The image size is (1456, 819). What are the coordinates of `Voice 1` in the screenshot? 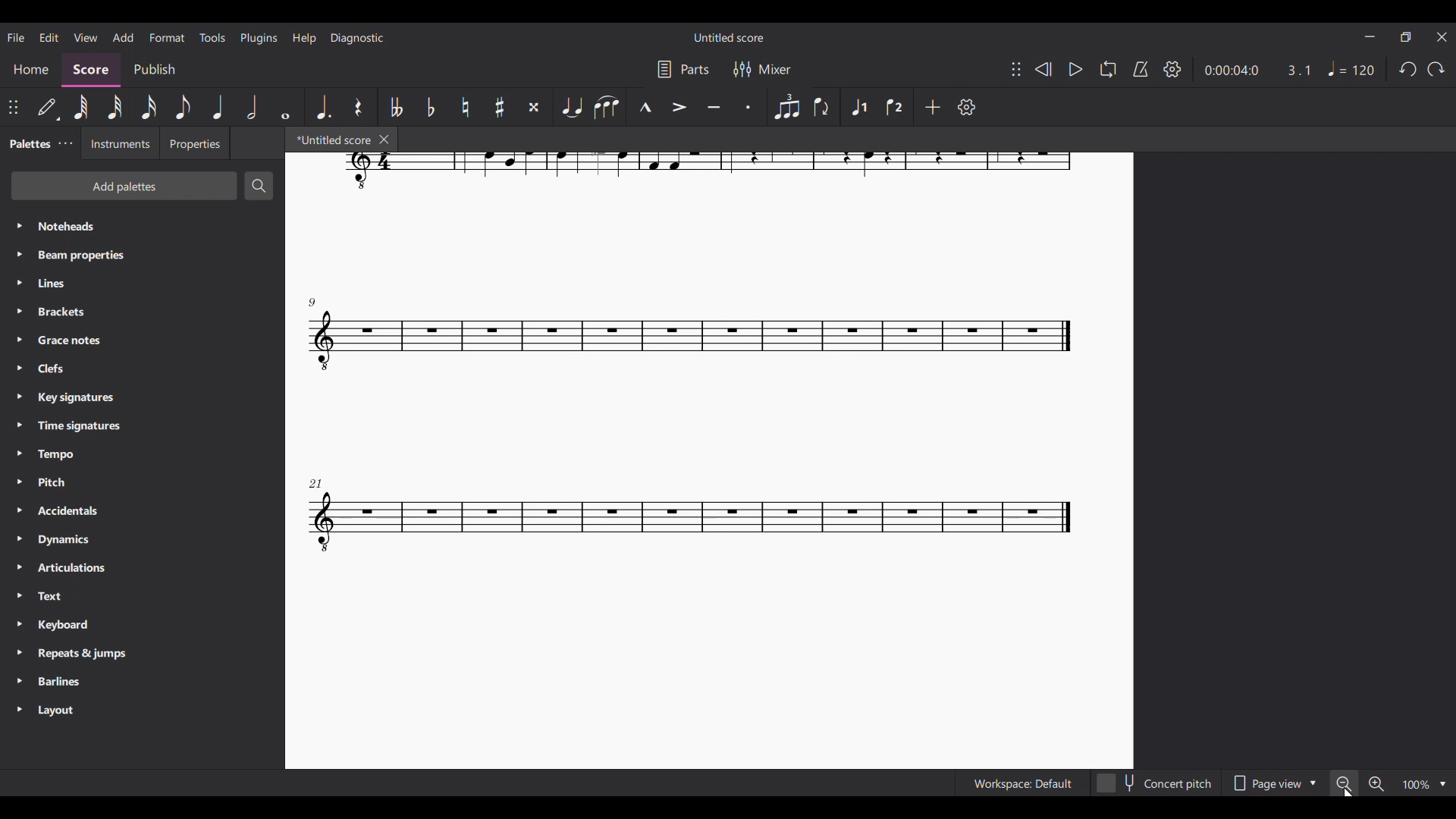 It's located at (858, 106).